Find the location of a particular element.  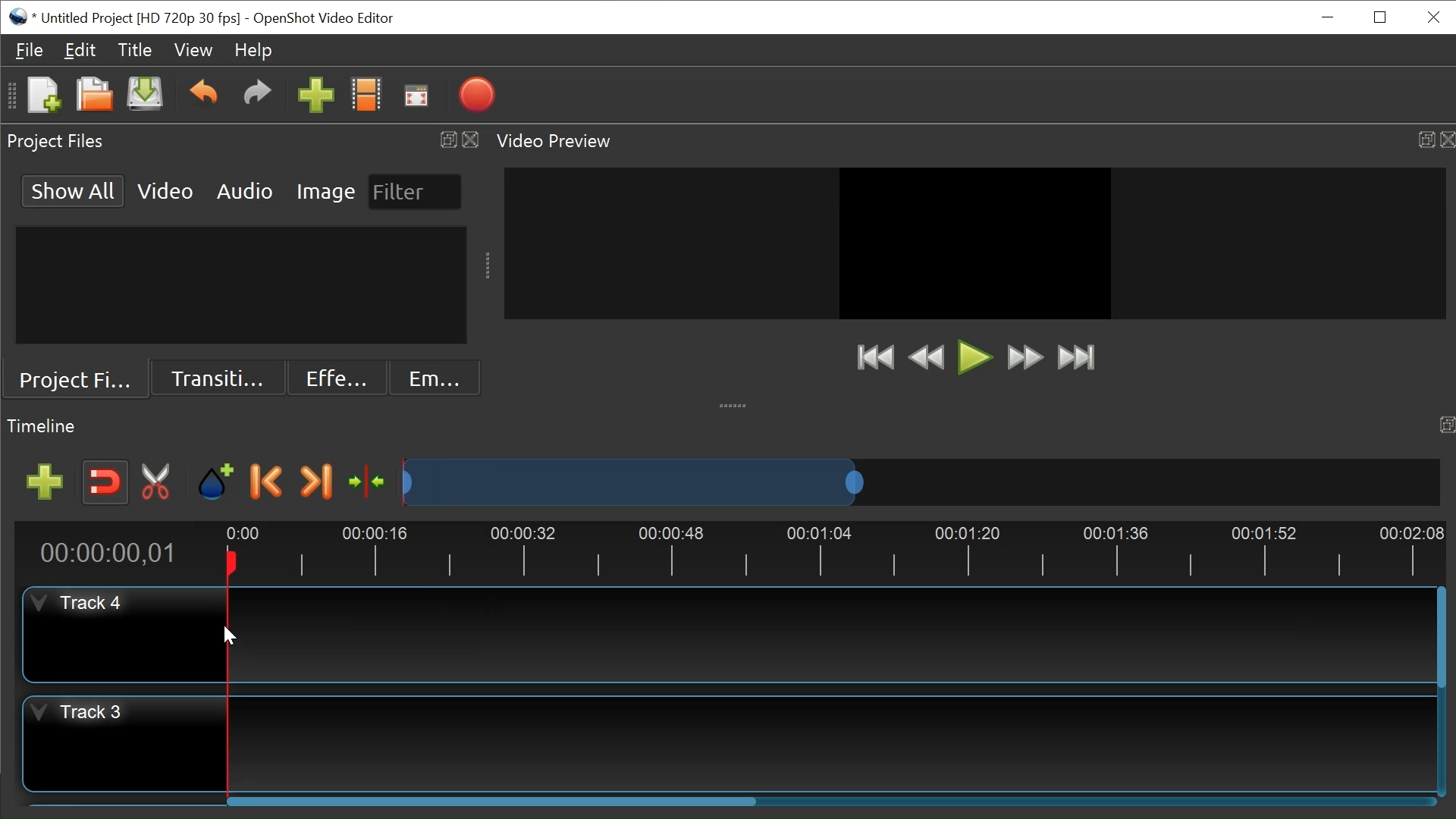

scrollbar is located at coordinates (491, 802).